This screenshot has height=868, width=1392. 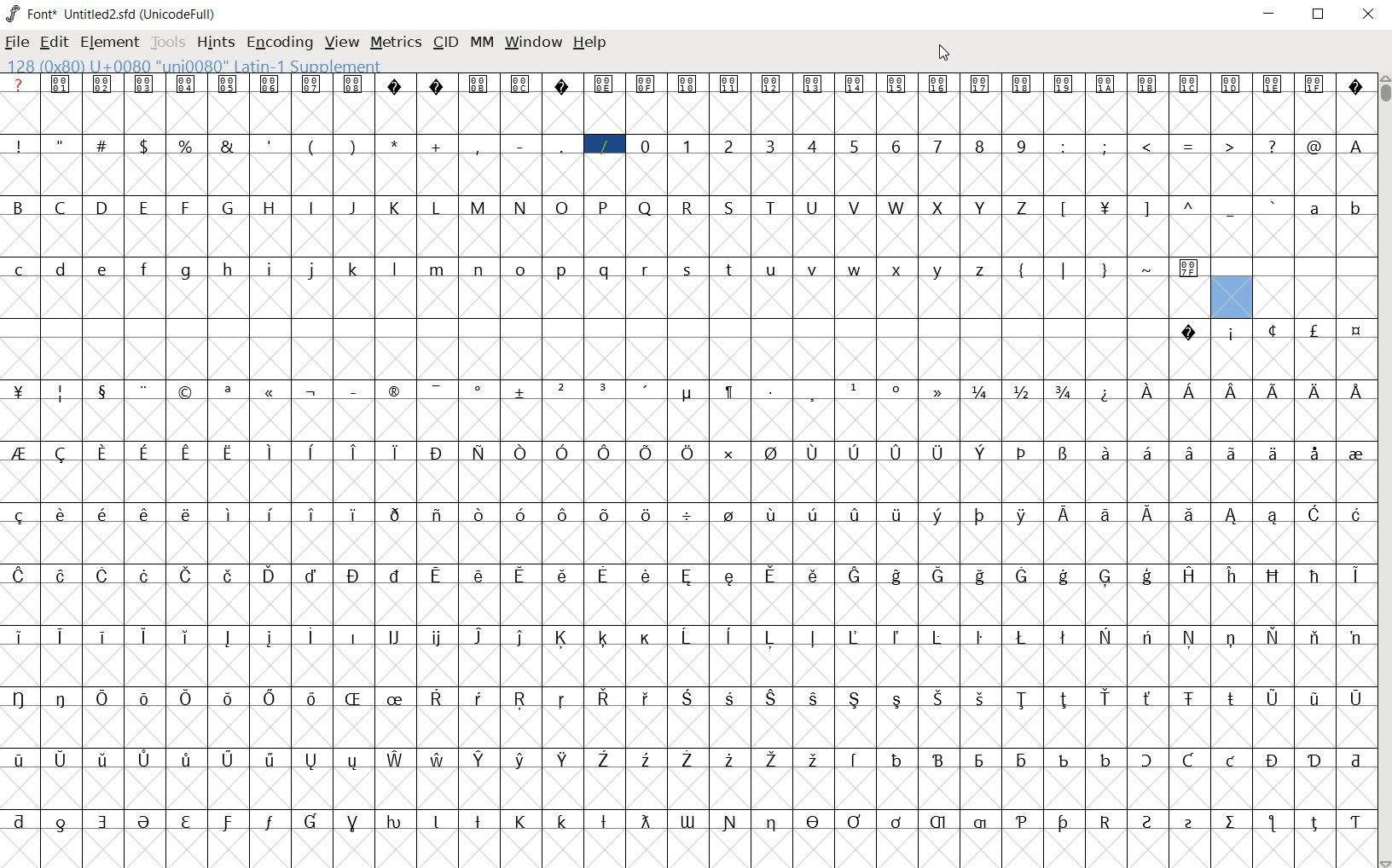 I want to click on glyph, so click(x=227, y=392).